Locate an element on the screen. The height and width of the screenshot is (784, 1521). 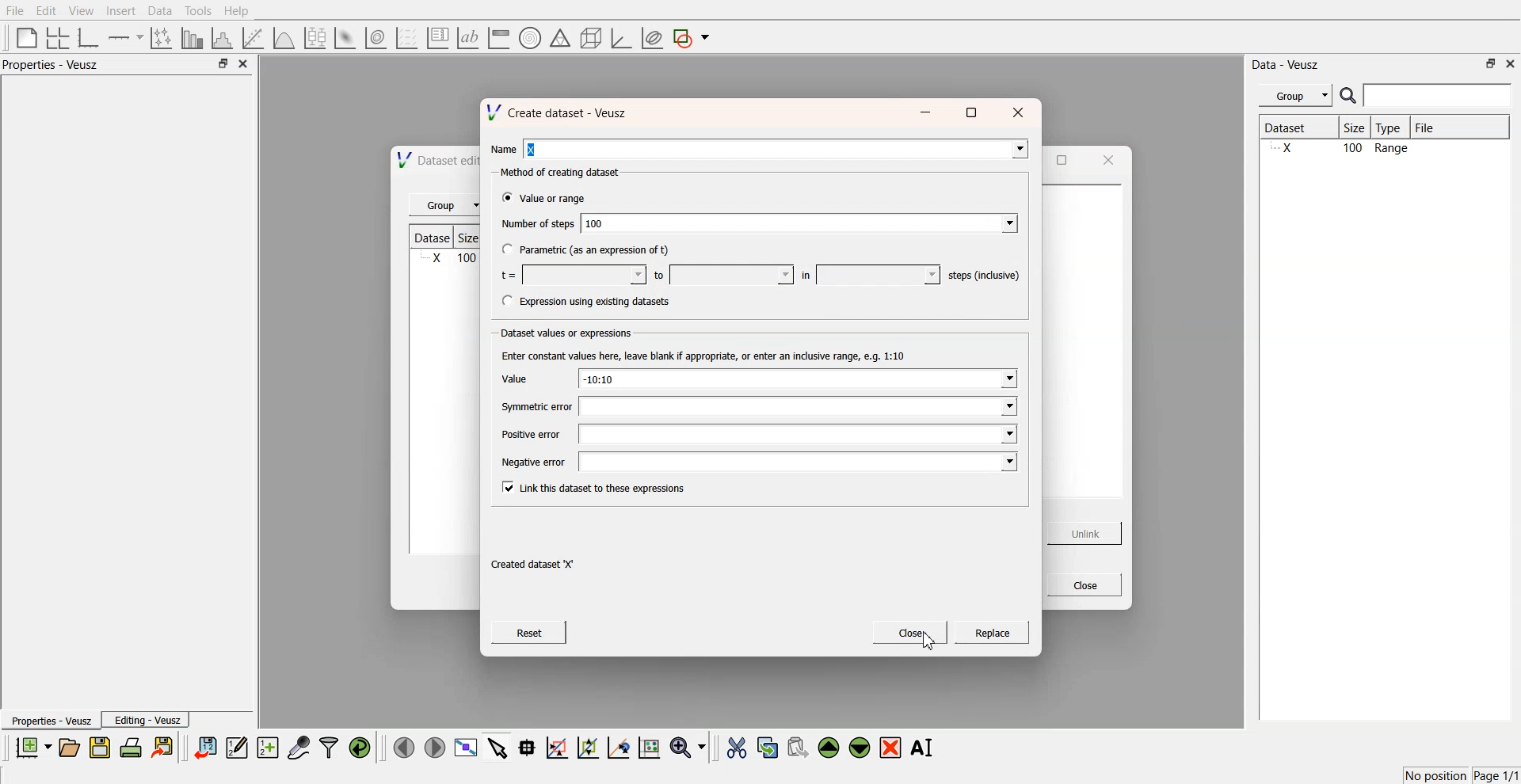
3d shapes is located at coordinates (588, 38).